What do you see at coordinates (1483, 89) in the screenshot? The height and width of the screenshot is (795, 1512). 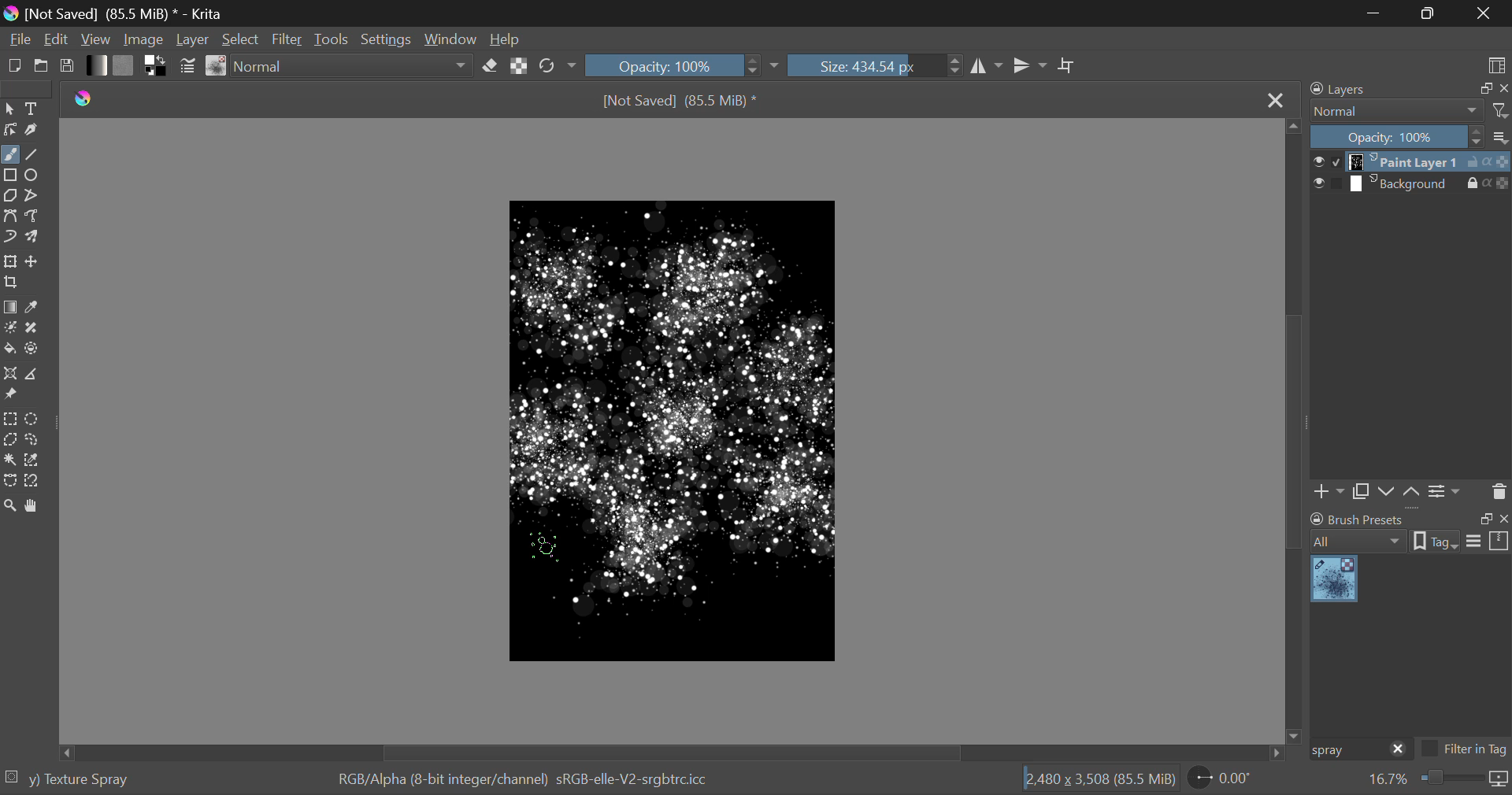 I see `restore` at bounding box center [1483, 89].